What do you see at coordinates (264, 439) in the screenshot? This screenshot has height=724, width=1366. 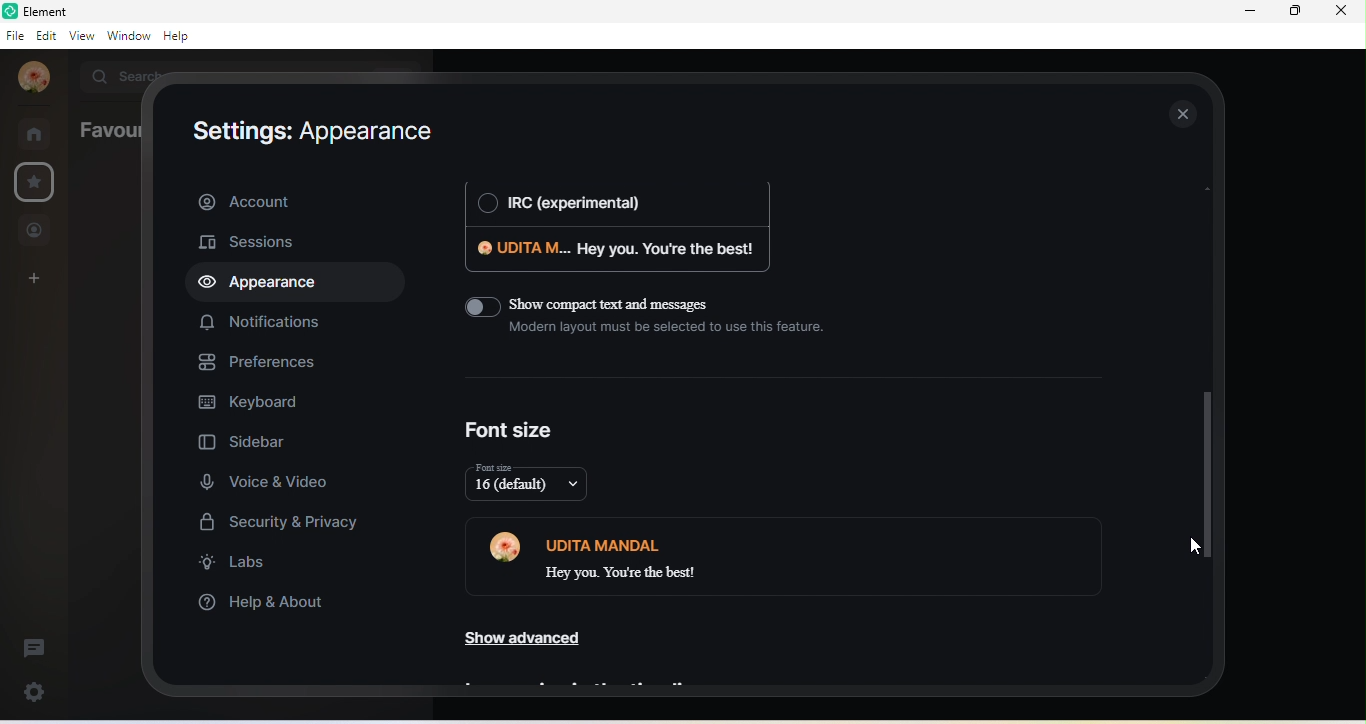 I see `sidebar` at bounding box center [264, 439].